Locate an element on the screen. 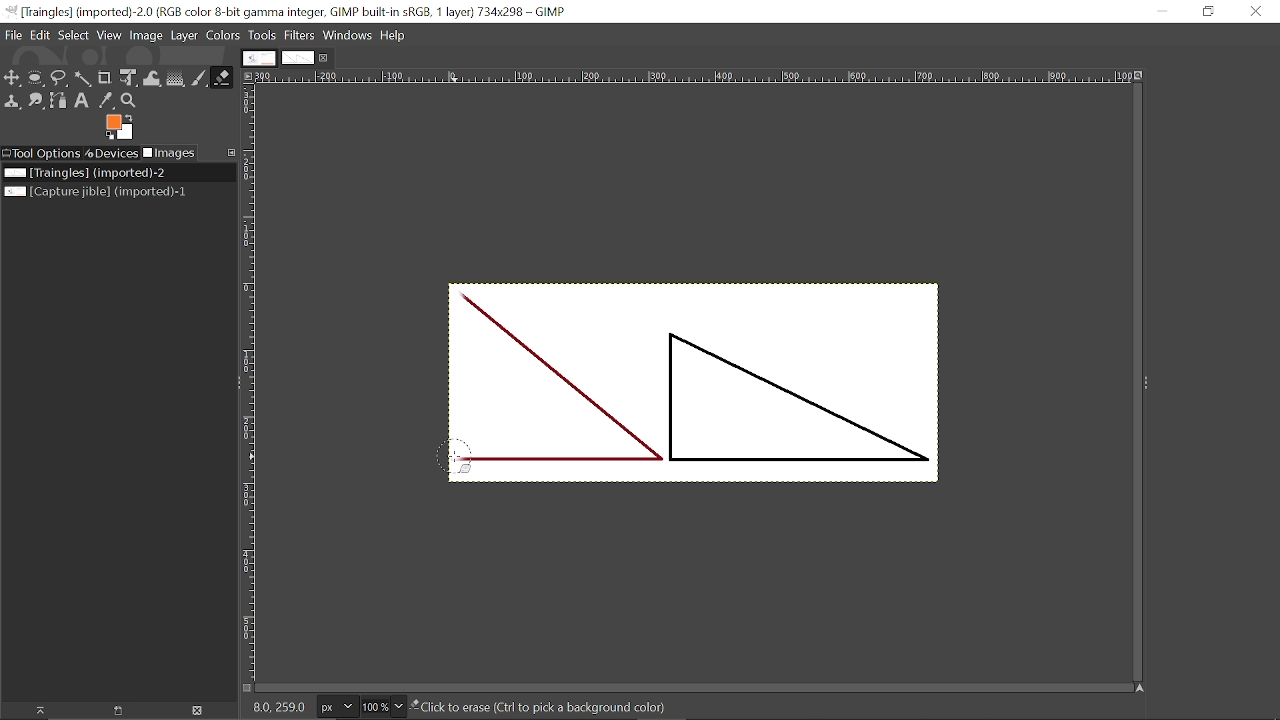 Image resolution: width=1280 pixels, height=720 pixels. CLose is located at coordinates (1257, 13).